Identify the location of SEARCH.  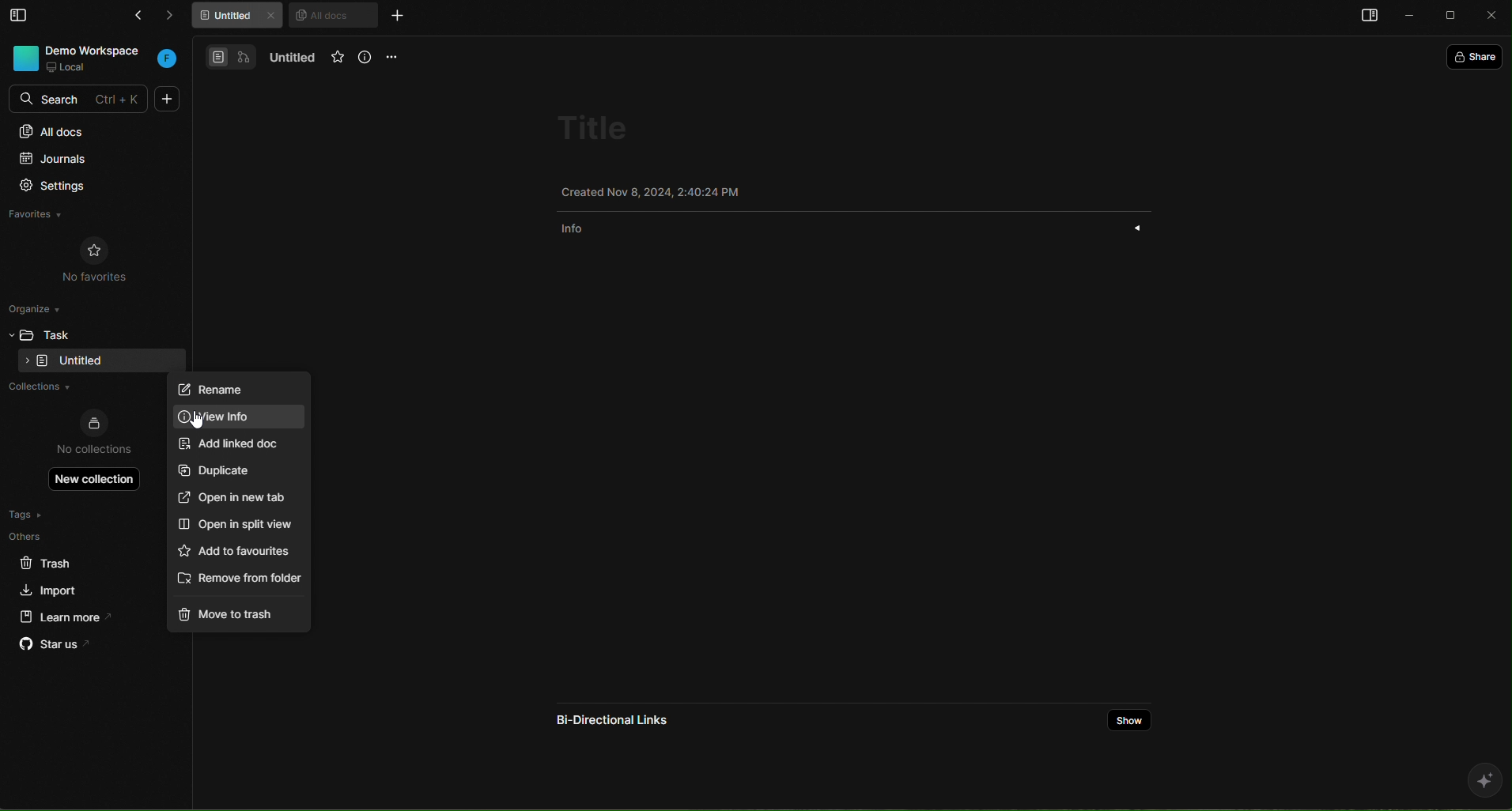
(81, 100).